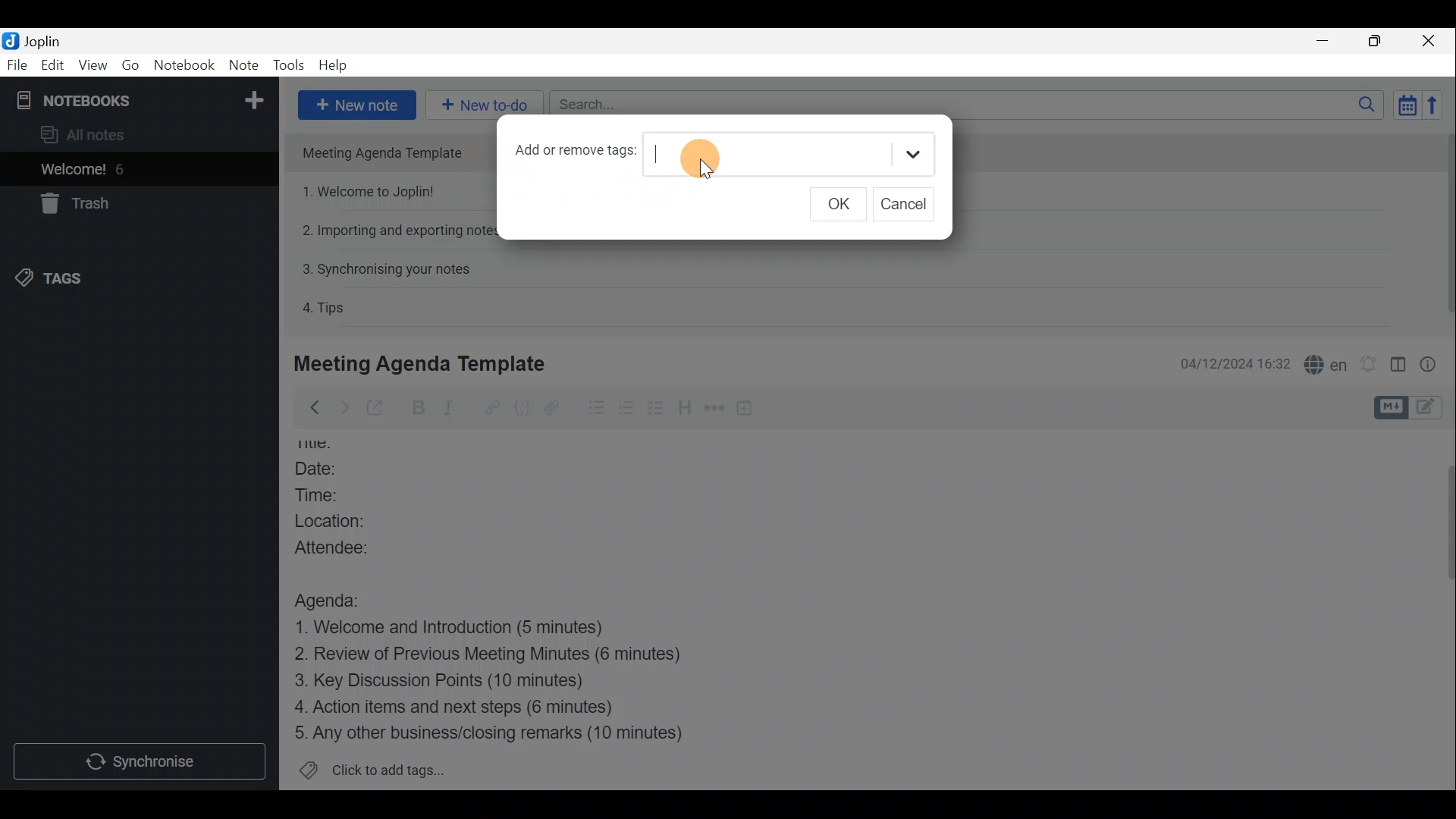 The height and width of the screenshot is (819, 1456). What do you see at coordinates (570, 153) in the screenshot?
I see `Add or remove tags` at bounding box center [570, 153].